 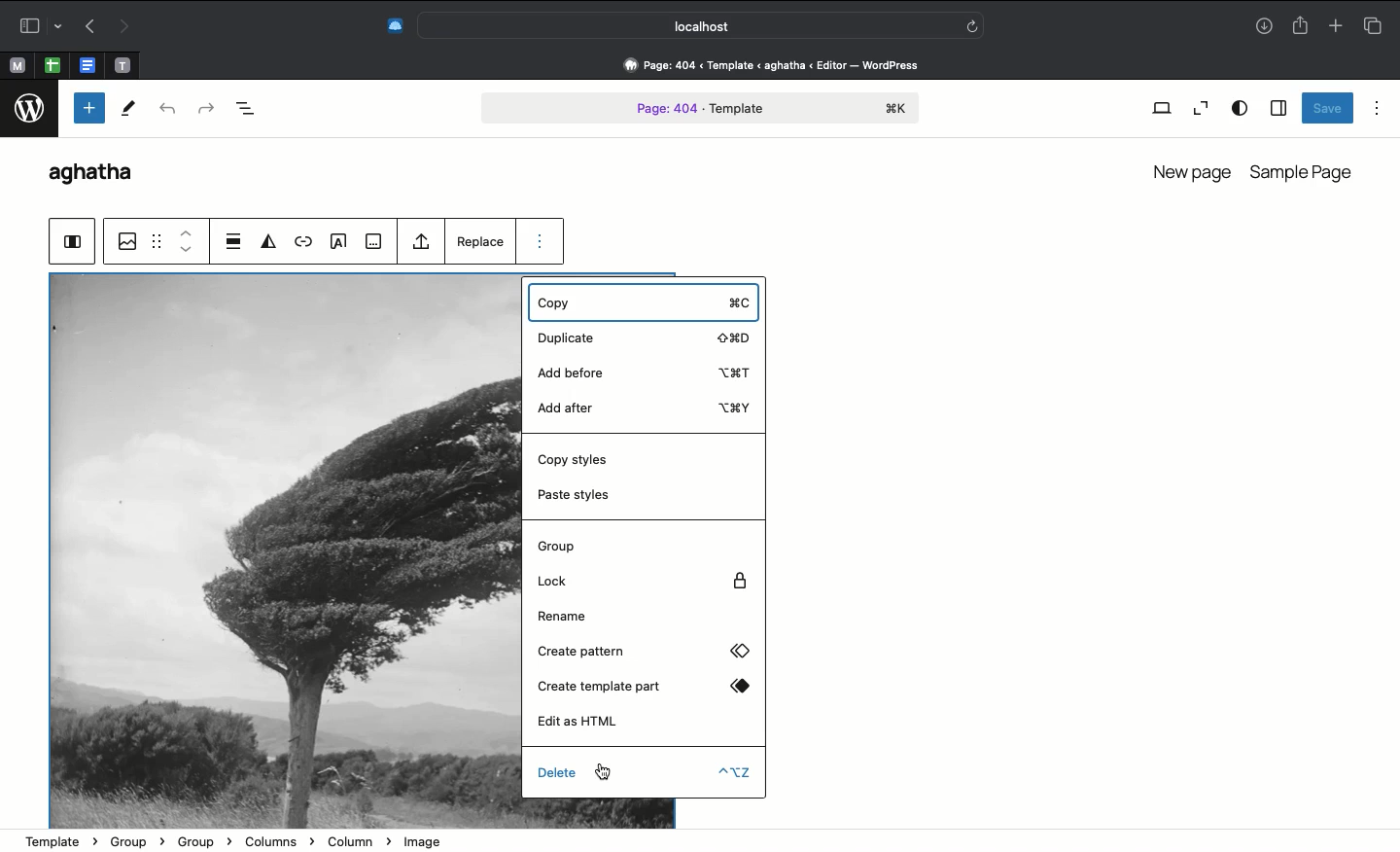 What do you see at coordinates (100, 175) in the screenshot?
I see `WordPress name` at bounding box center [100, 175].